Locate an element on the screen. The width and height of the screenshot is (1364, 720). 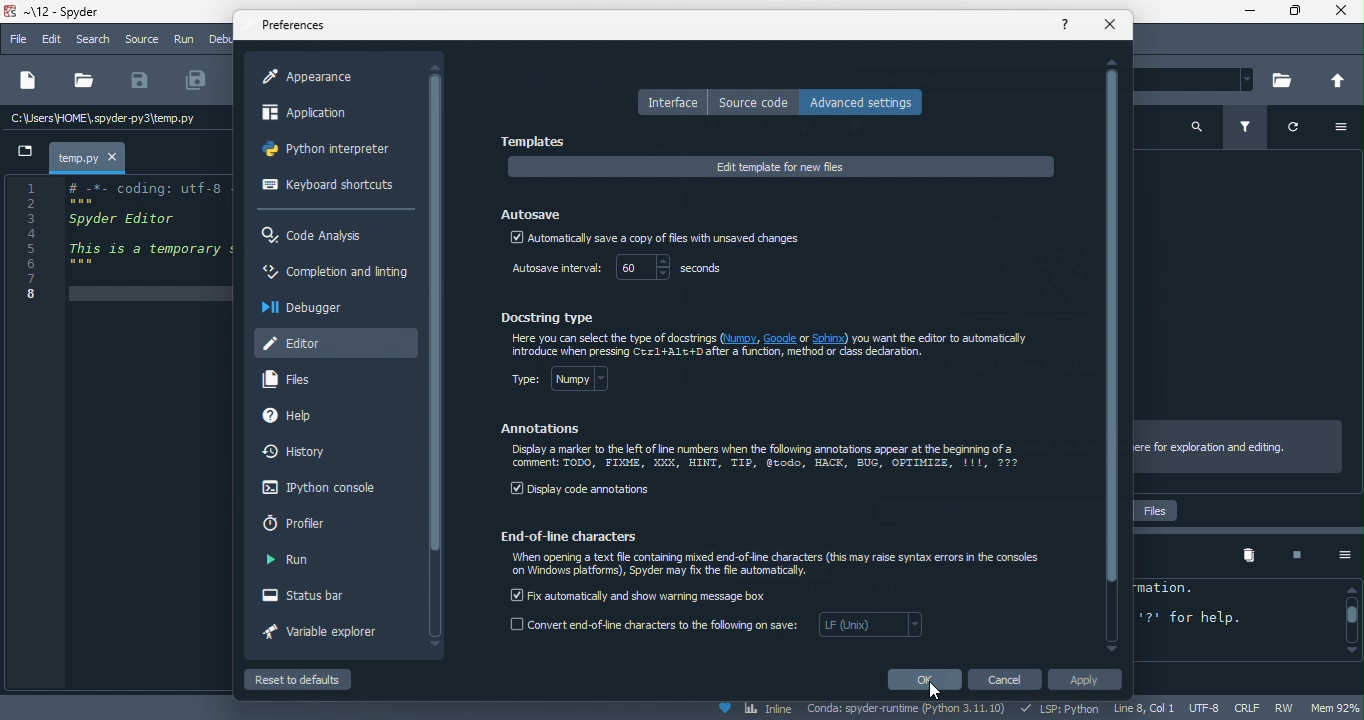
interface is located at coordinates (671, 102).